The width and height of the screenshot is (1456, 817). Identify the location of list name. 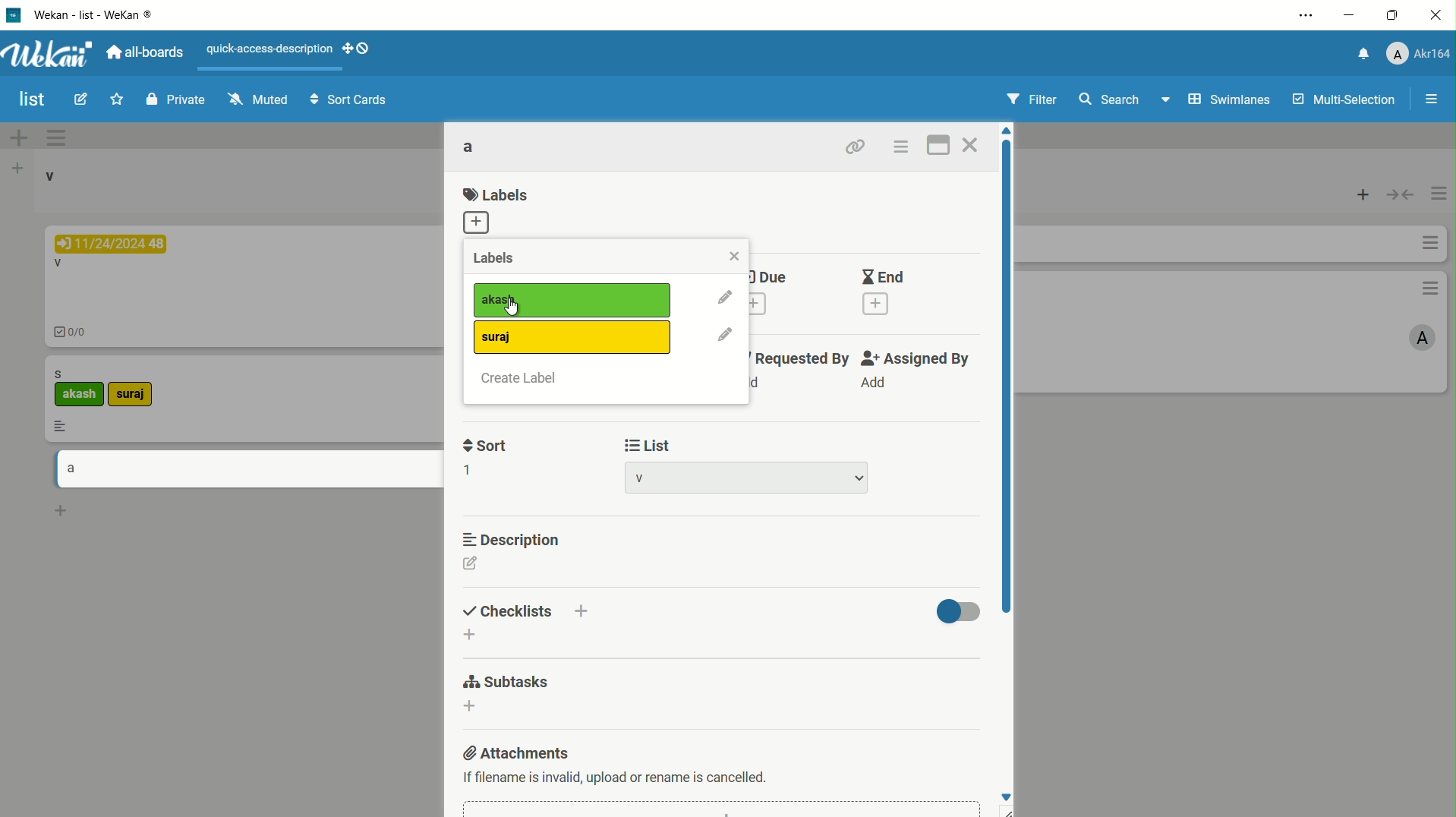
(639, 477).